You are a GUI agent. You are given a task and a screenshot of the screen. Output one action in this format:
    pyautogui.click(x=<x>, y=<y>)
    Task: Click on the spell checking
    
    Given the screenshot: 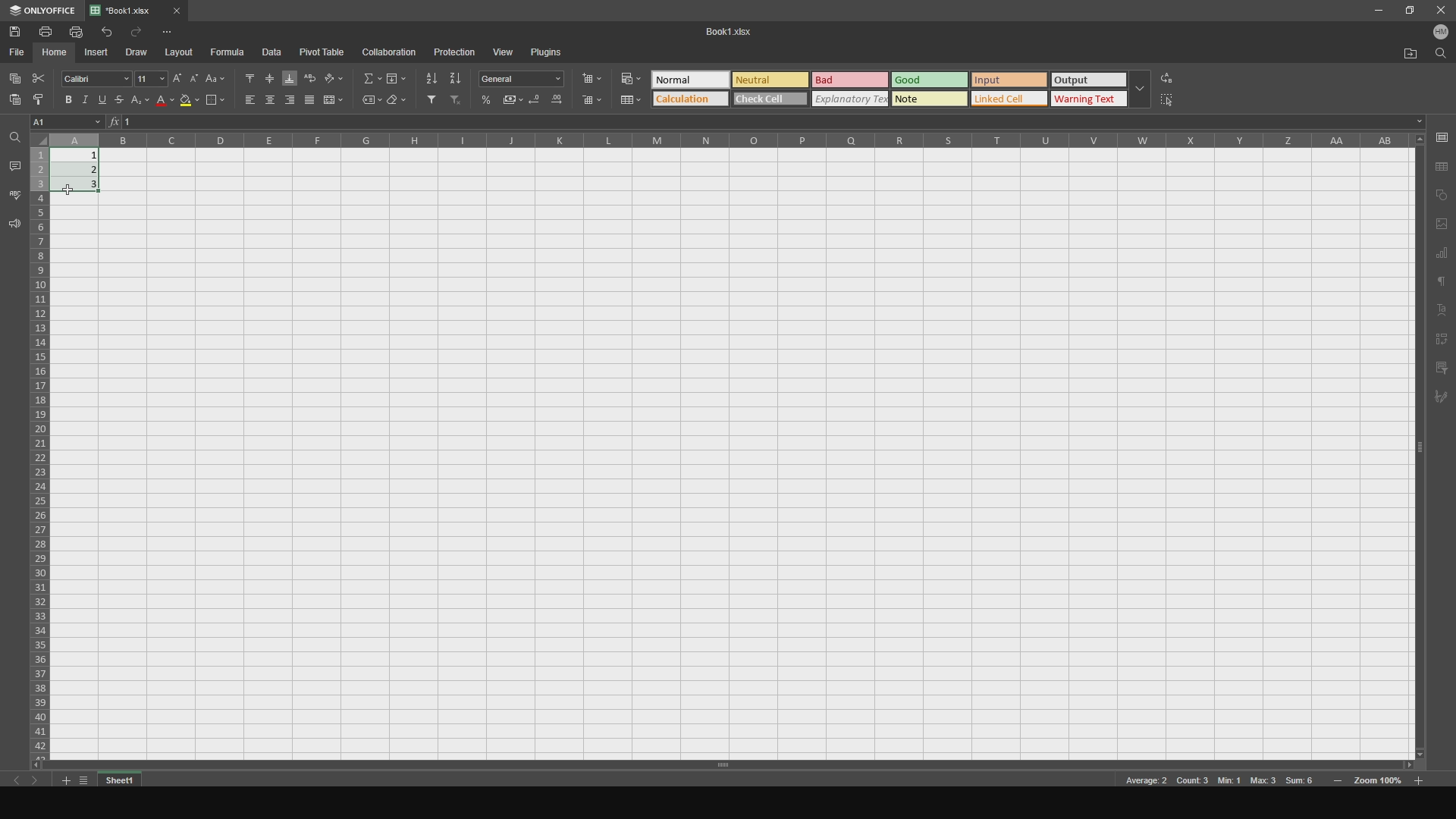 What is the action you would take?
    pyautogui.click(x=14, y=194)
    